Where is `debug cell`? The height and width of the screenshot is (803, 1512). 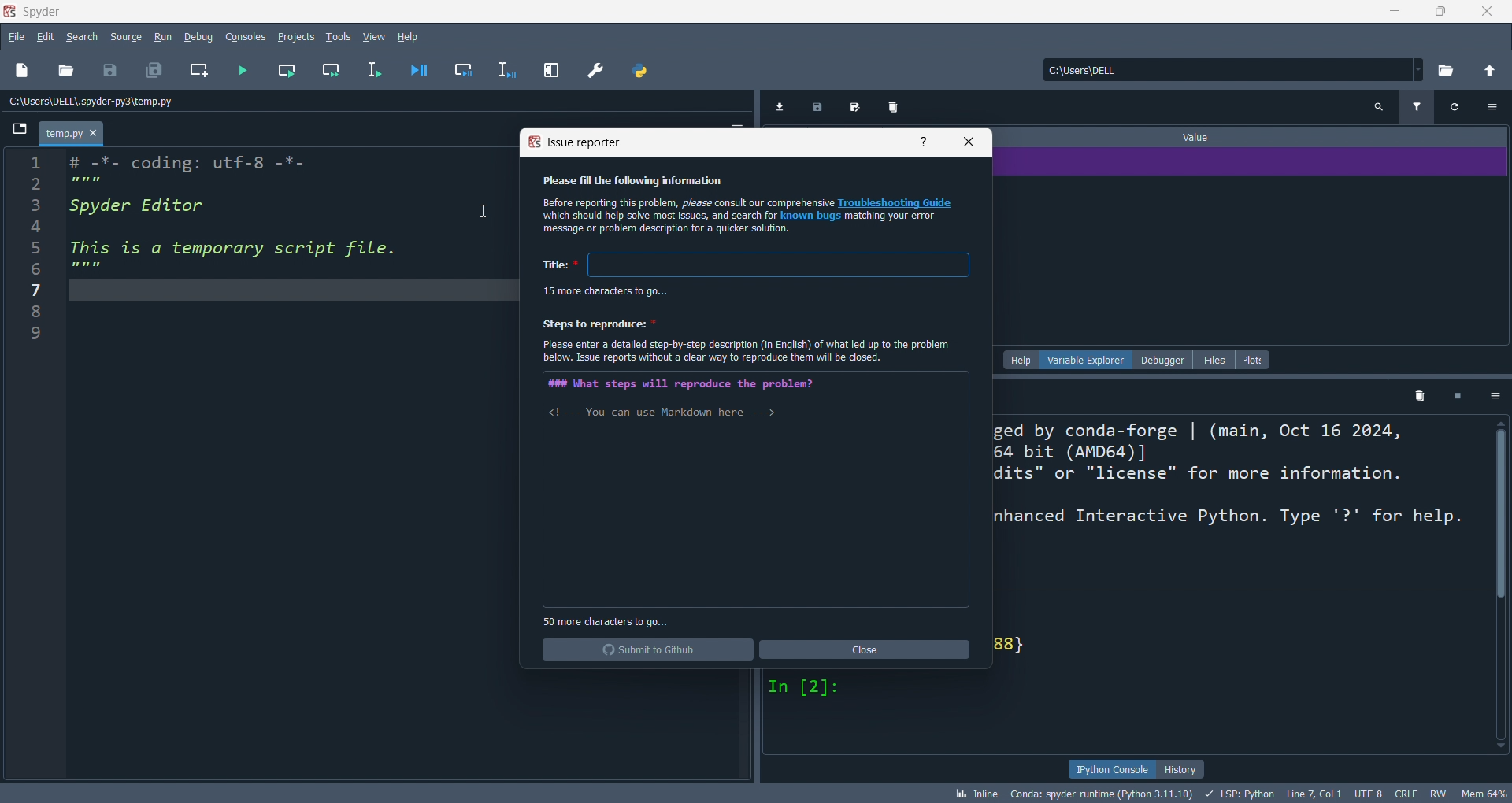 debug cell is located at coordinates (463, 71).